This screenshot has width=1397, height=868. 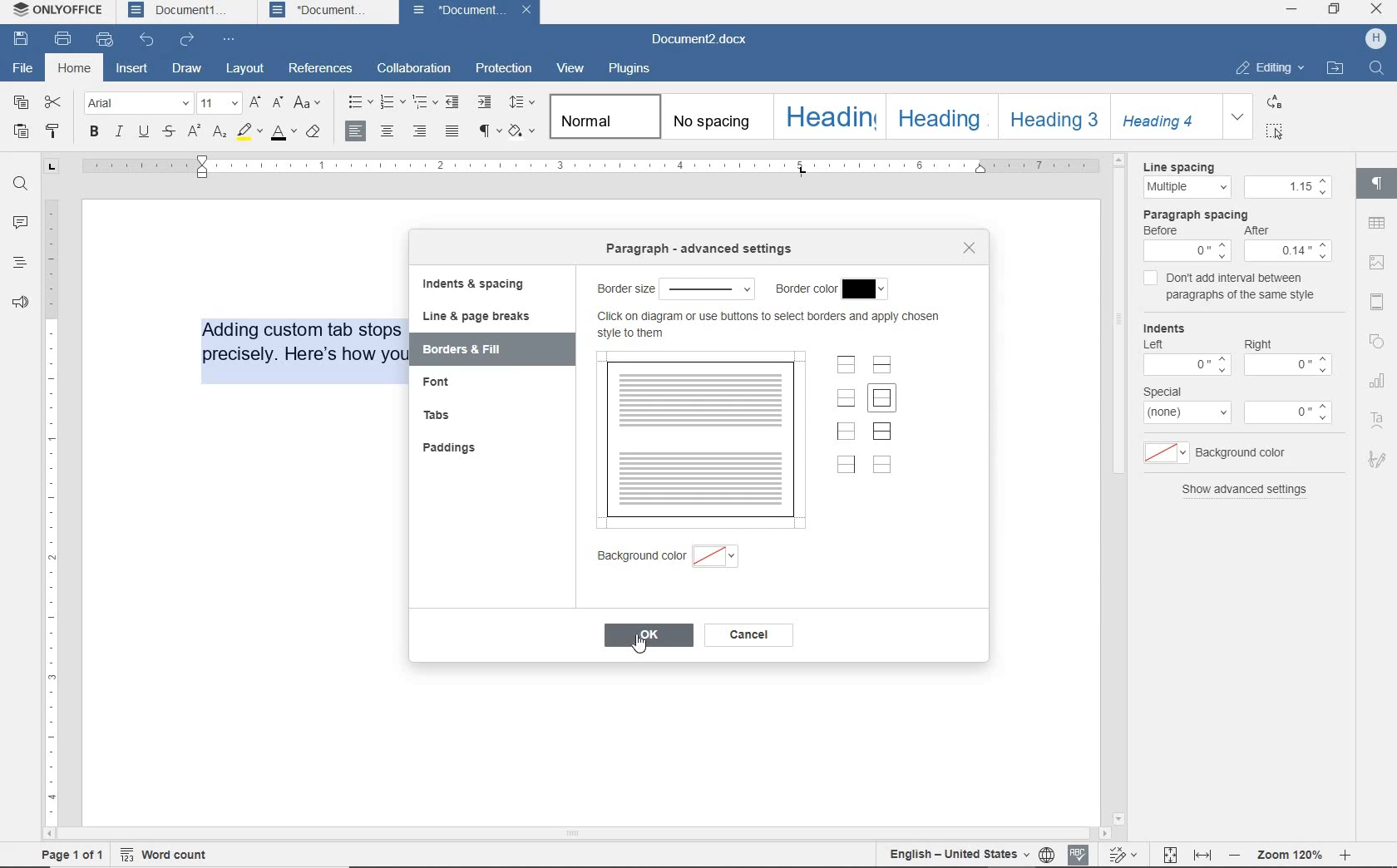 I want to click on normal, so click(x=602, y=116).